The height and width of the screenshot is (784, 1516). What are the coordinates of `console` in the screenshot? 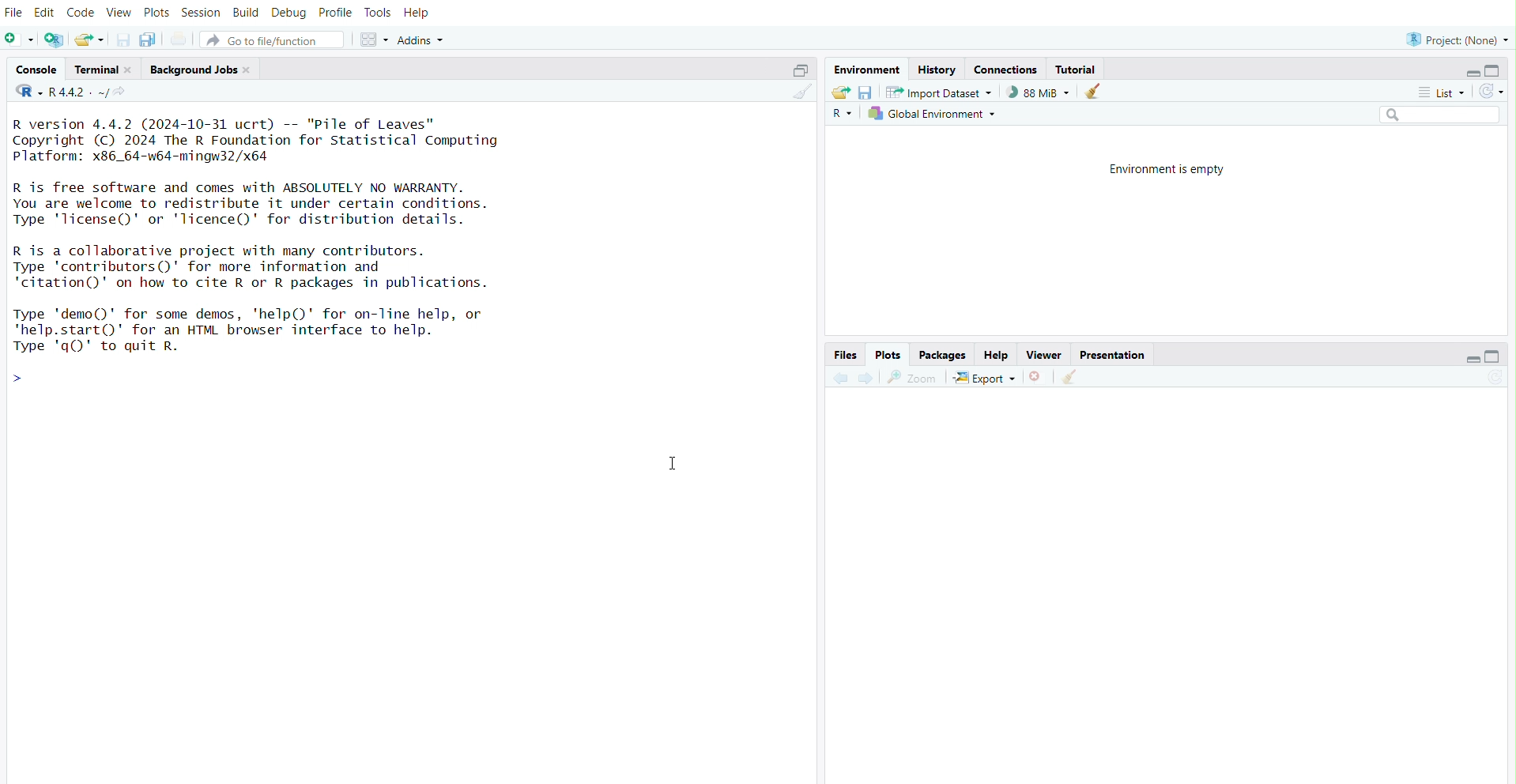 It's located at (30, 67).